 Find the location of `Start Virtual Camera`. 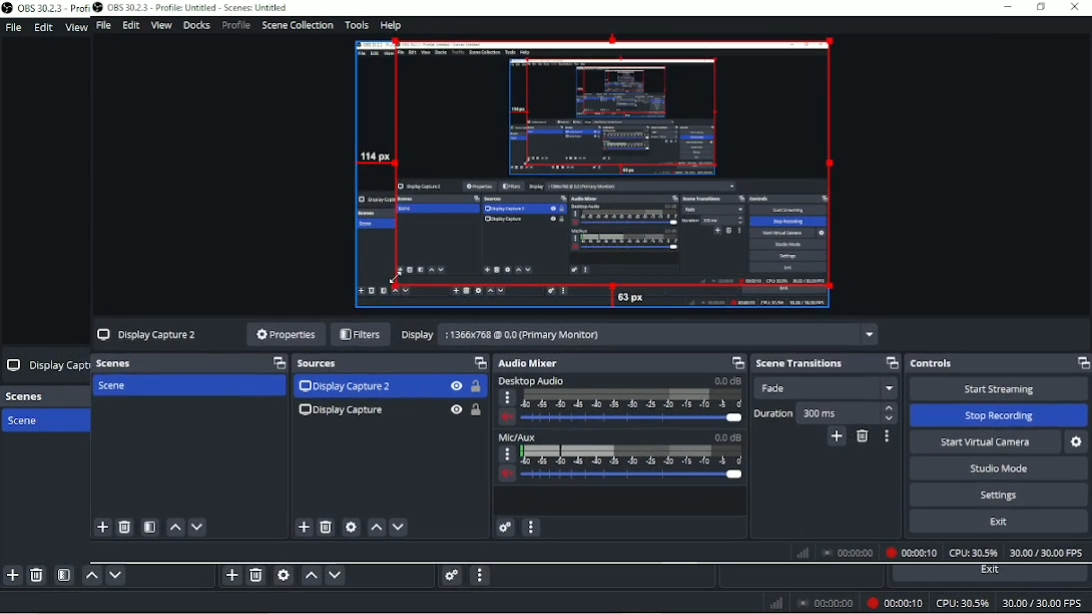

Start Virtual Camera is located at coordinates (983, 440).